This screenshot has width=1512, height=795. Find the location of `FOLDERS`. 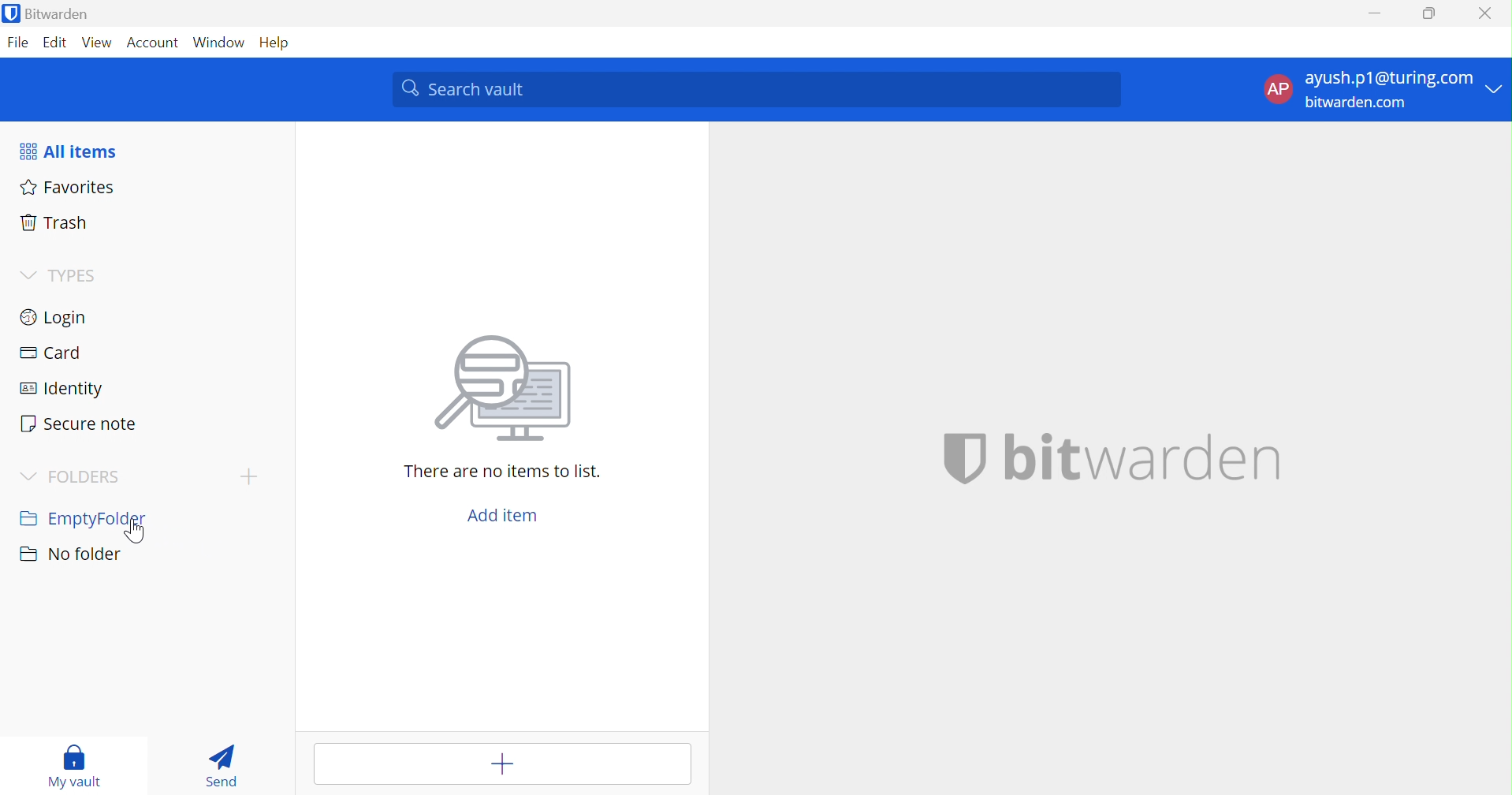

FOLDERS is located at coordinates (89, 477).